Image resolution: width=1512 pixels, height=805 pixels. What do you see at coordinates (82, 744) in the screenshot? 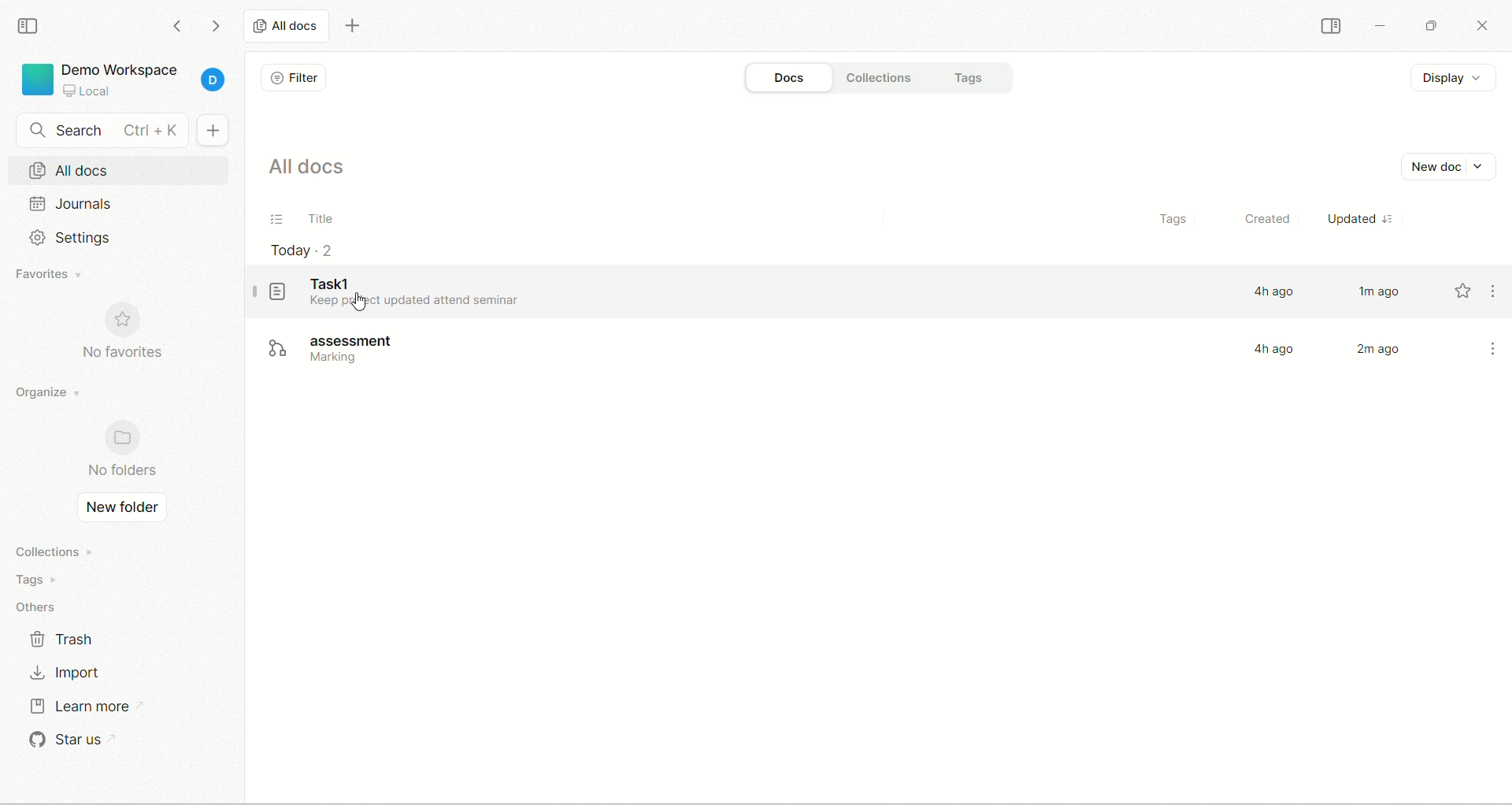
I see `star us` at bounding box center [82, 744].